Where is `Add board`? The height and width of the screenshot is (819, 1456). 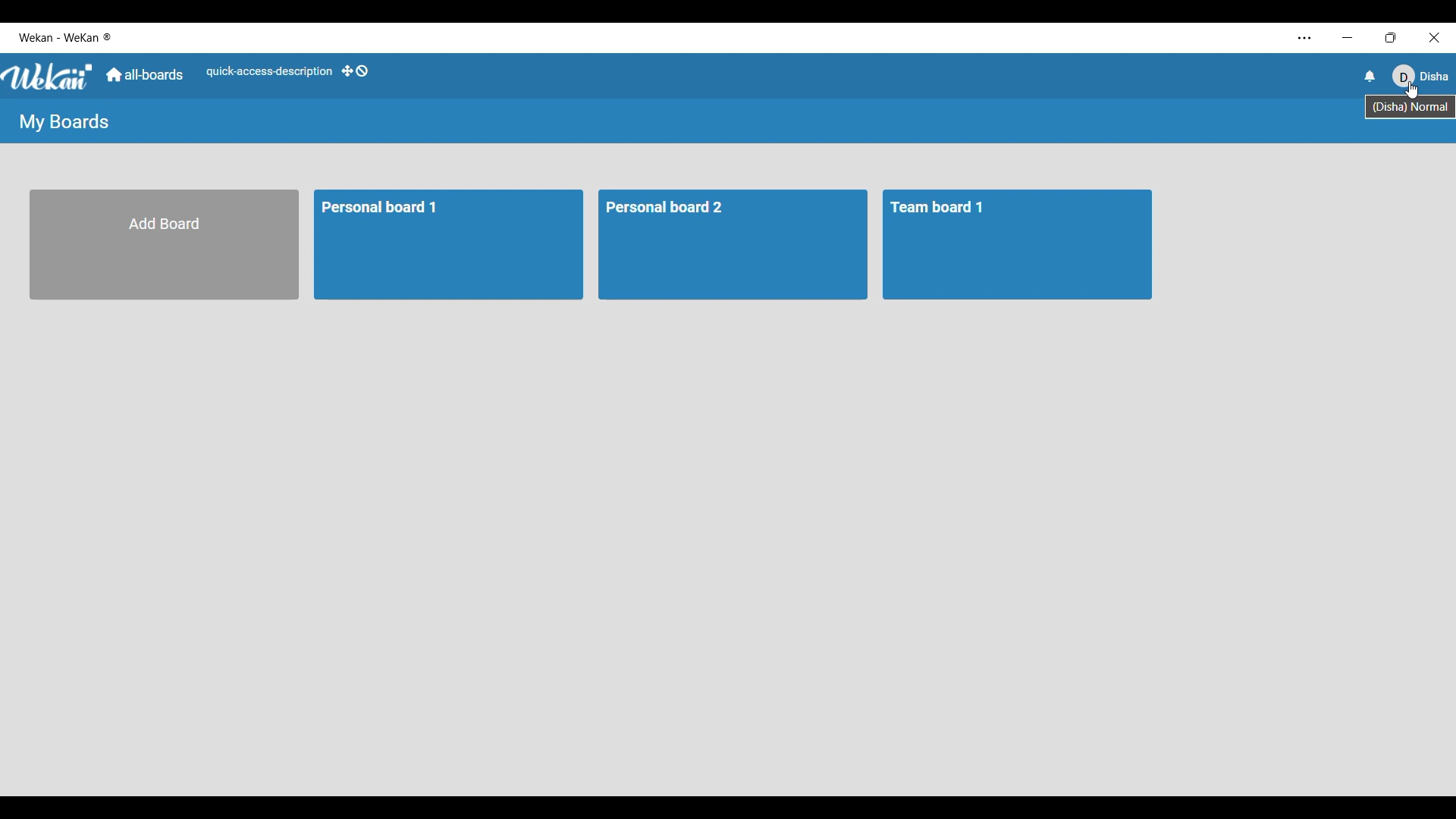 Add board is located at coordinates (164, 245).